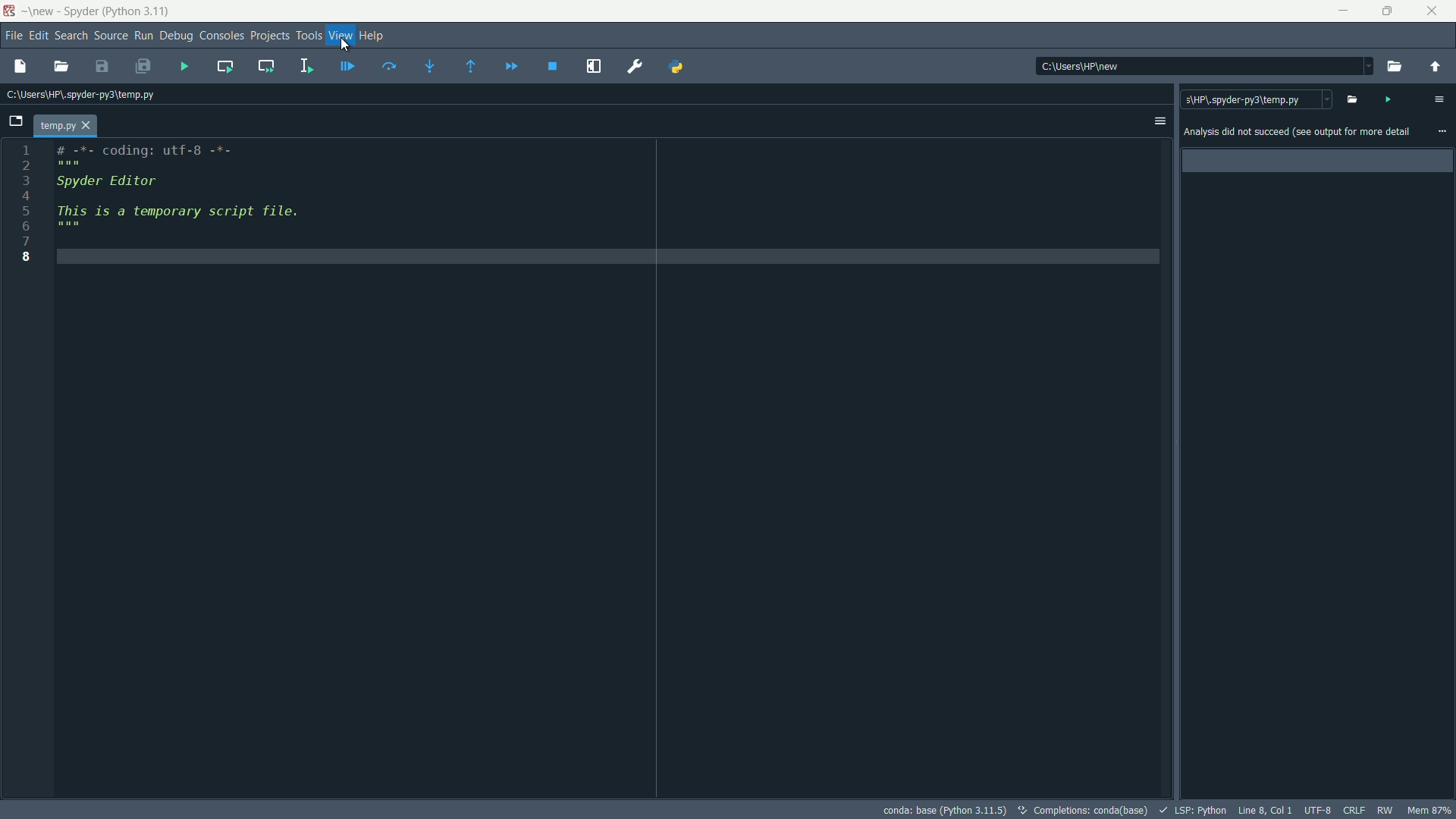  I want to click on run menu, so click(143, 37).